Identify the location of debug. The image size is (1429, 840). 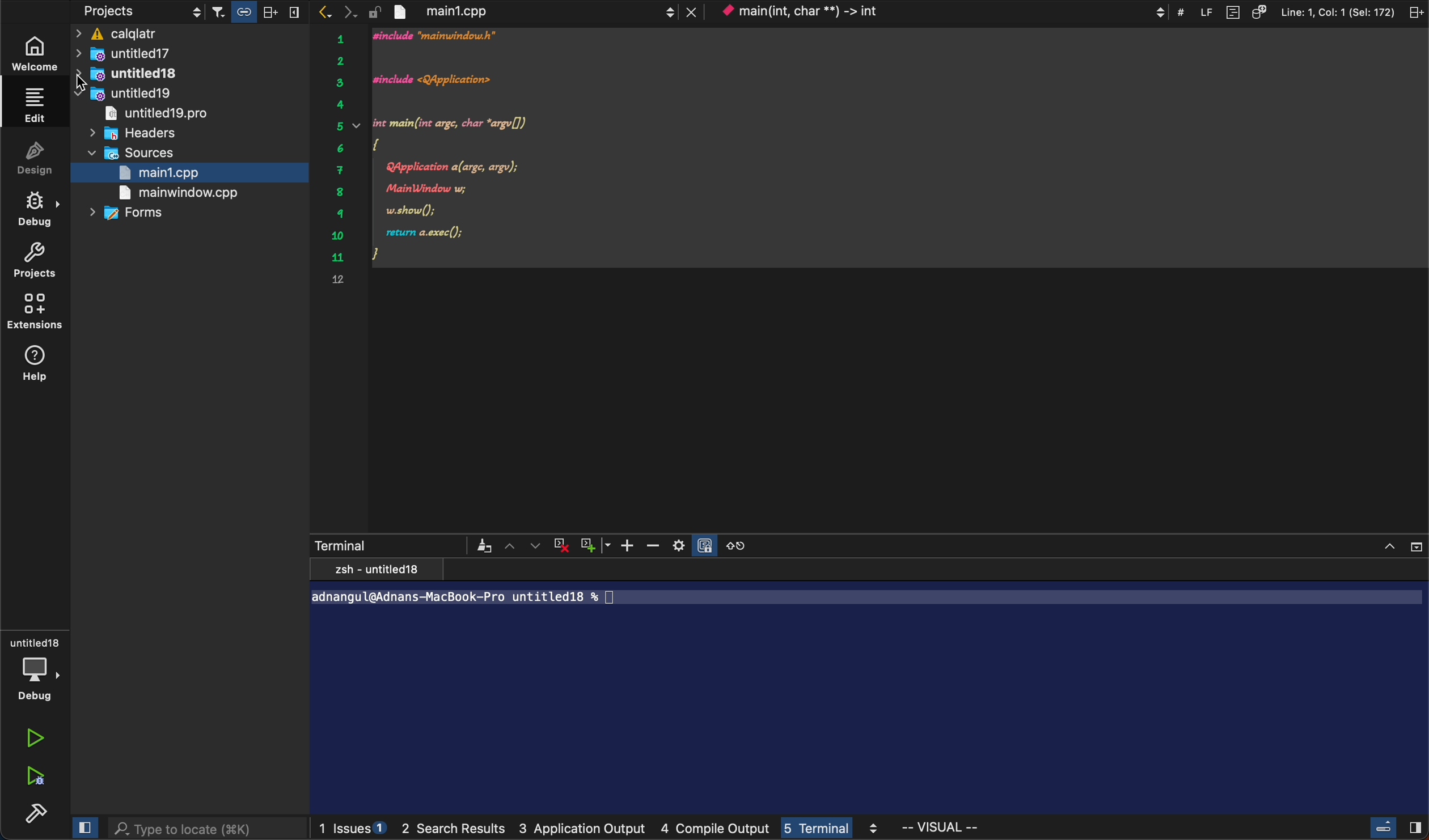
(34, 661).